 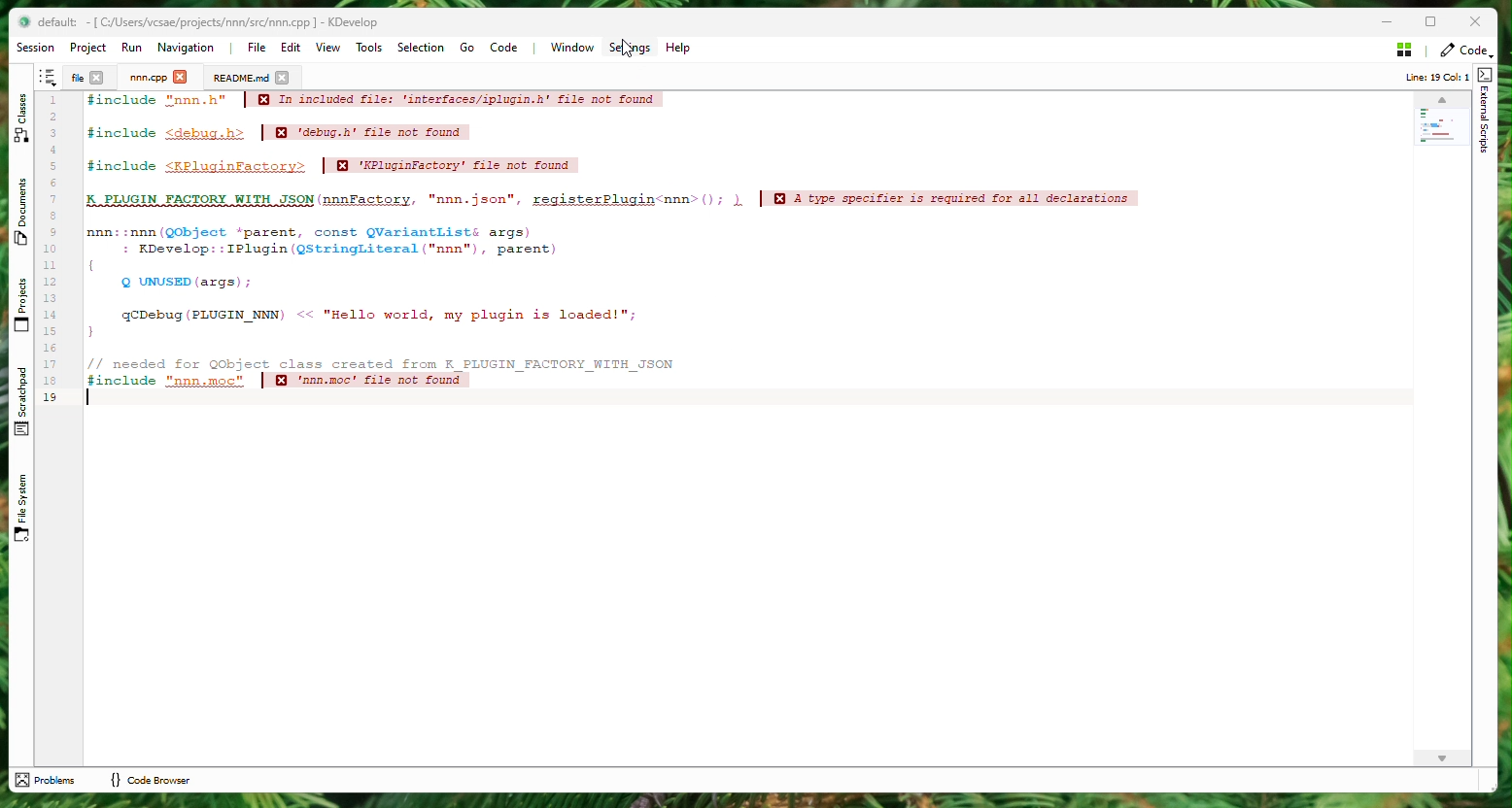 I want to click on 18, so click(x=52, y=381).